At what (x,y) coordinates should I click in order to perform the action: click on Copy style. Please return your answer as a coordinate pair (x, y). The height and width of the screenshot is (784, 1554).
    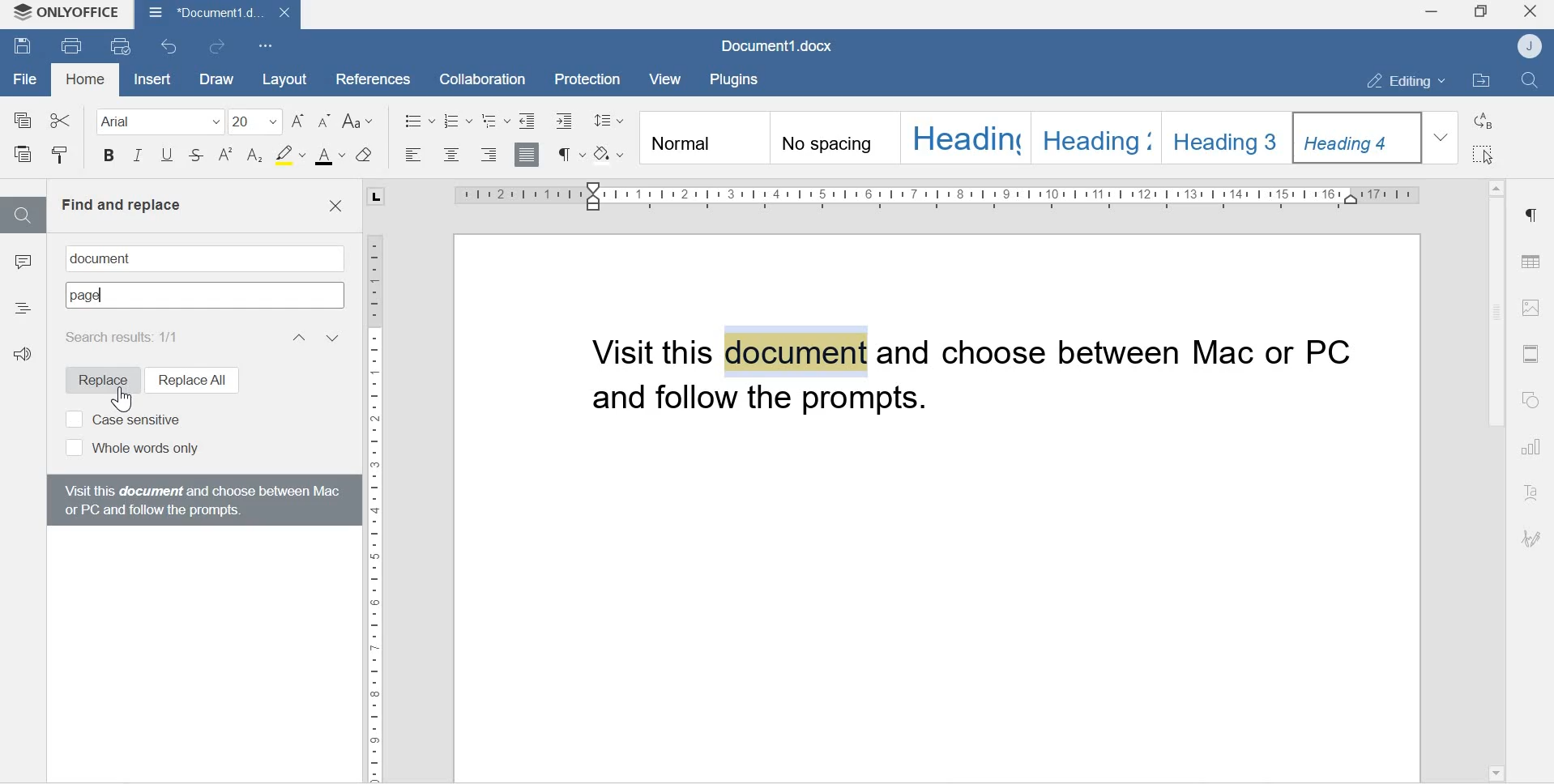
    Looking at the image, I should click on (60, 156).